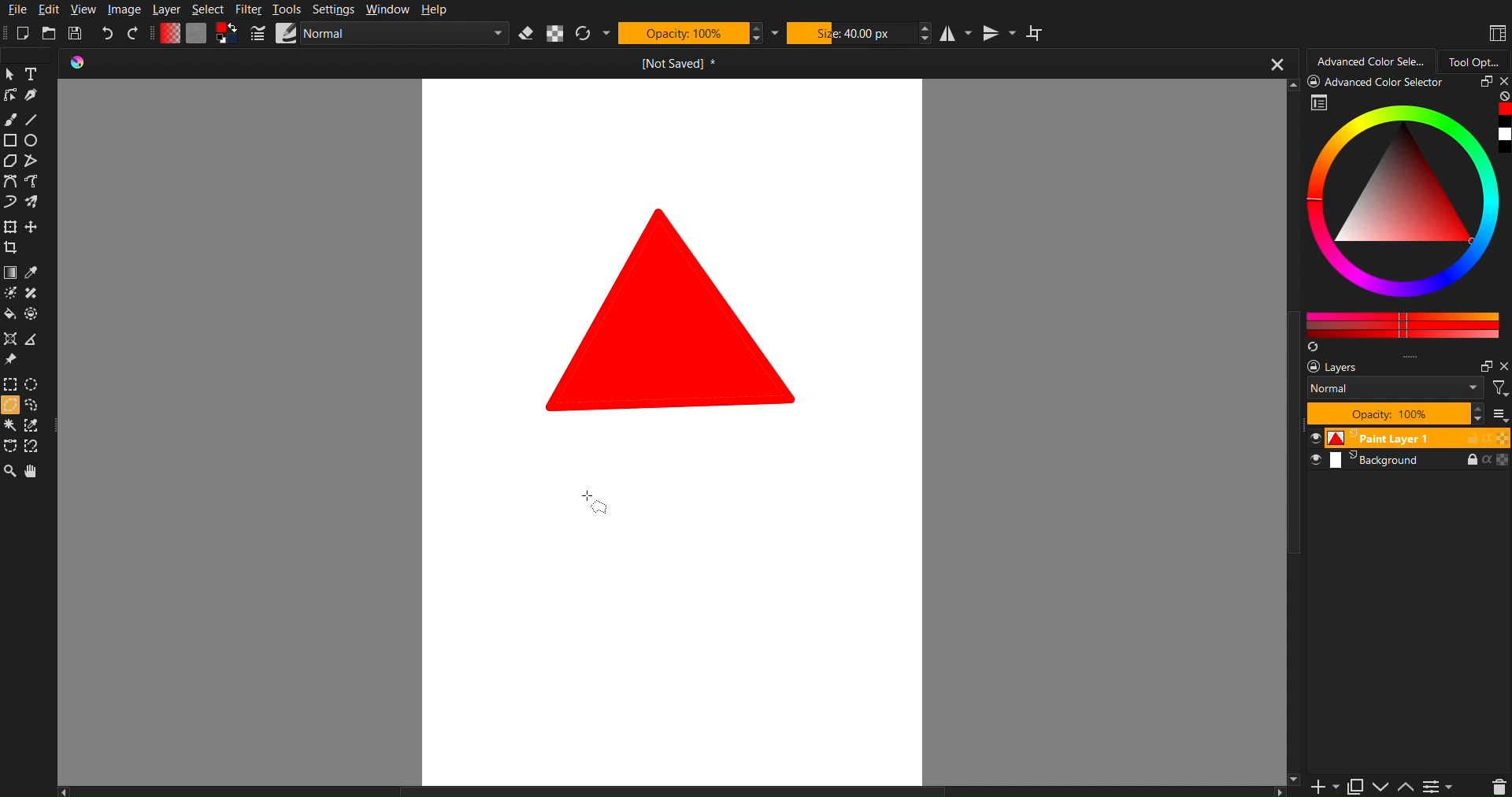  I want to click on Cursor, so click(598, 495).